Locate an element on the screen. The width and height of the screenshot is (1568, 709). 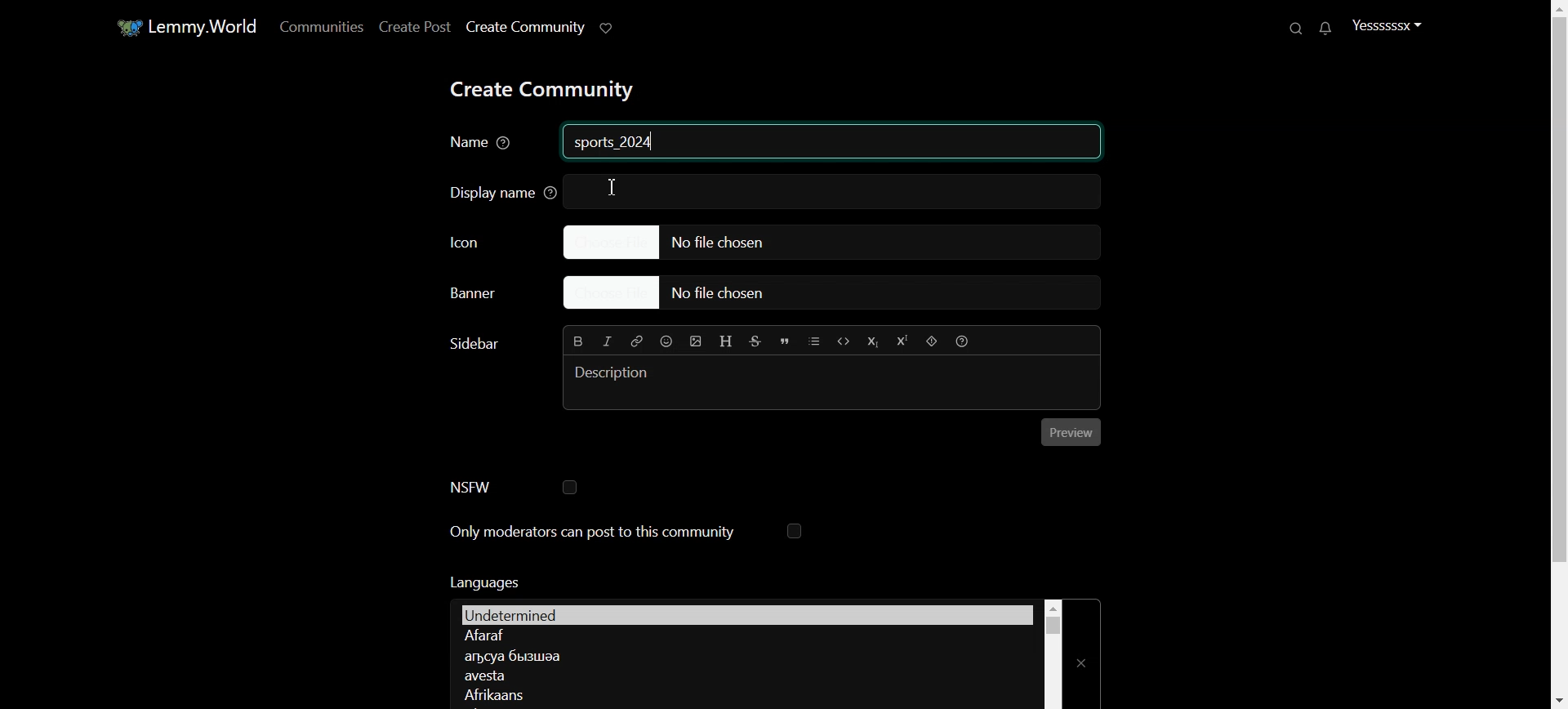
Italic is located at coordinates (608, 341).